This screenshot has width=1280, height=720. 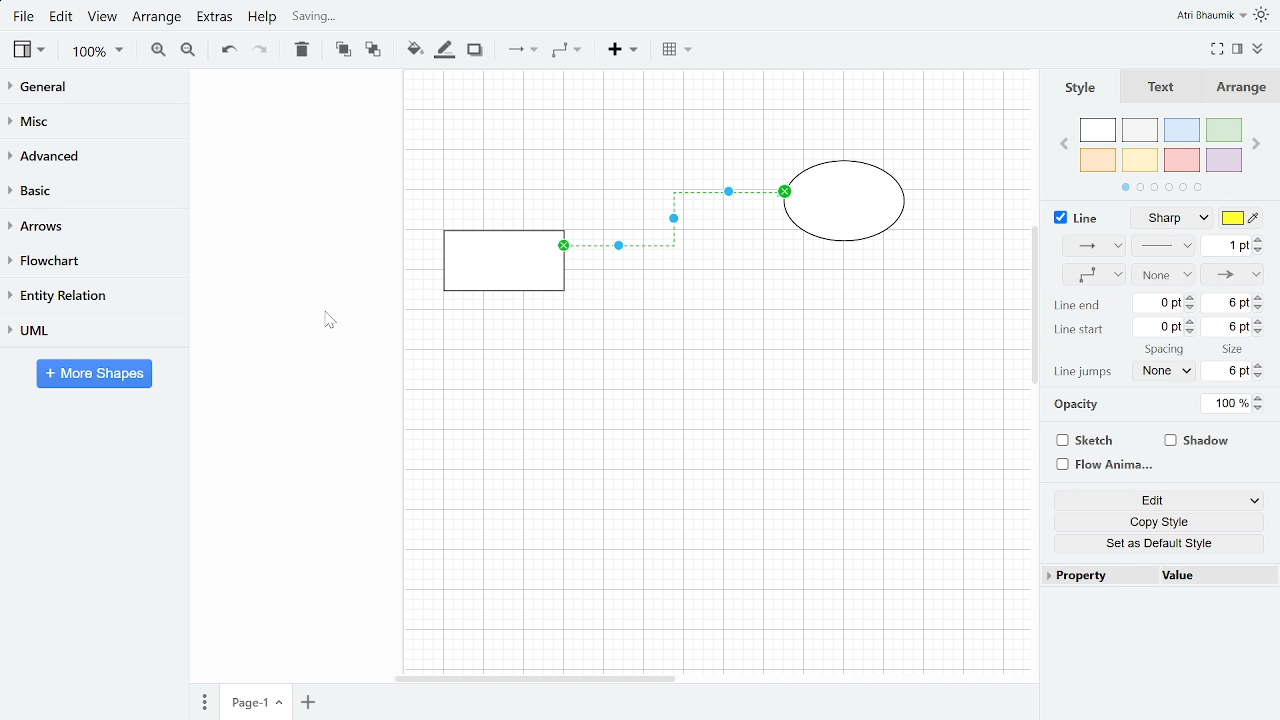 What do you see at coordinates (566, 51) in the screenshot?
I see `Waypoints` at bounding box center [566, 51].